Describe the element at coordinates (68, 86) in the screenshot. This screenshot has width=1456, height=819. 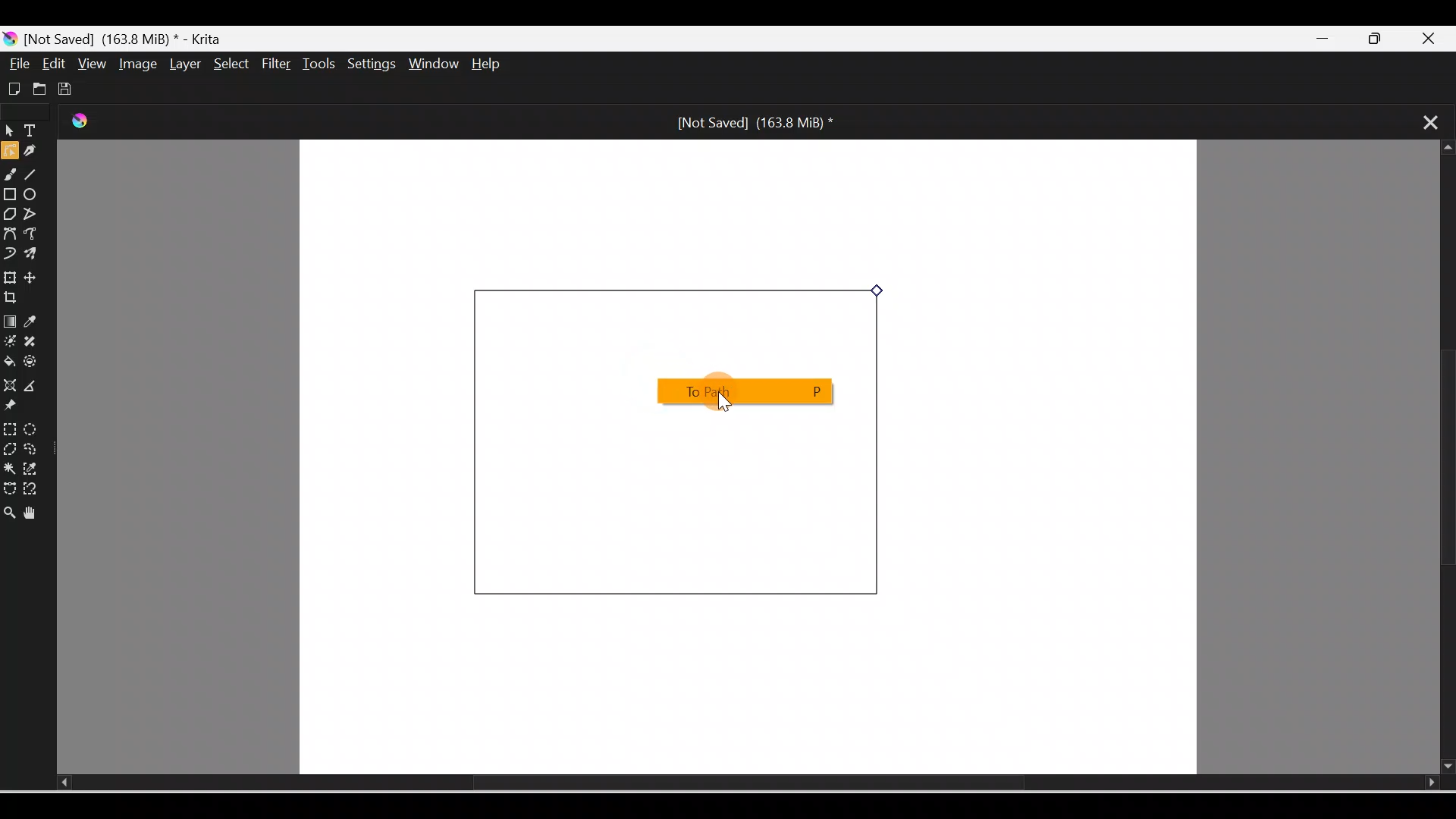
I see `Save` at that location.